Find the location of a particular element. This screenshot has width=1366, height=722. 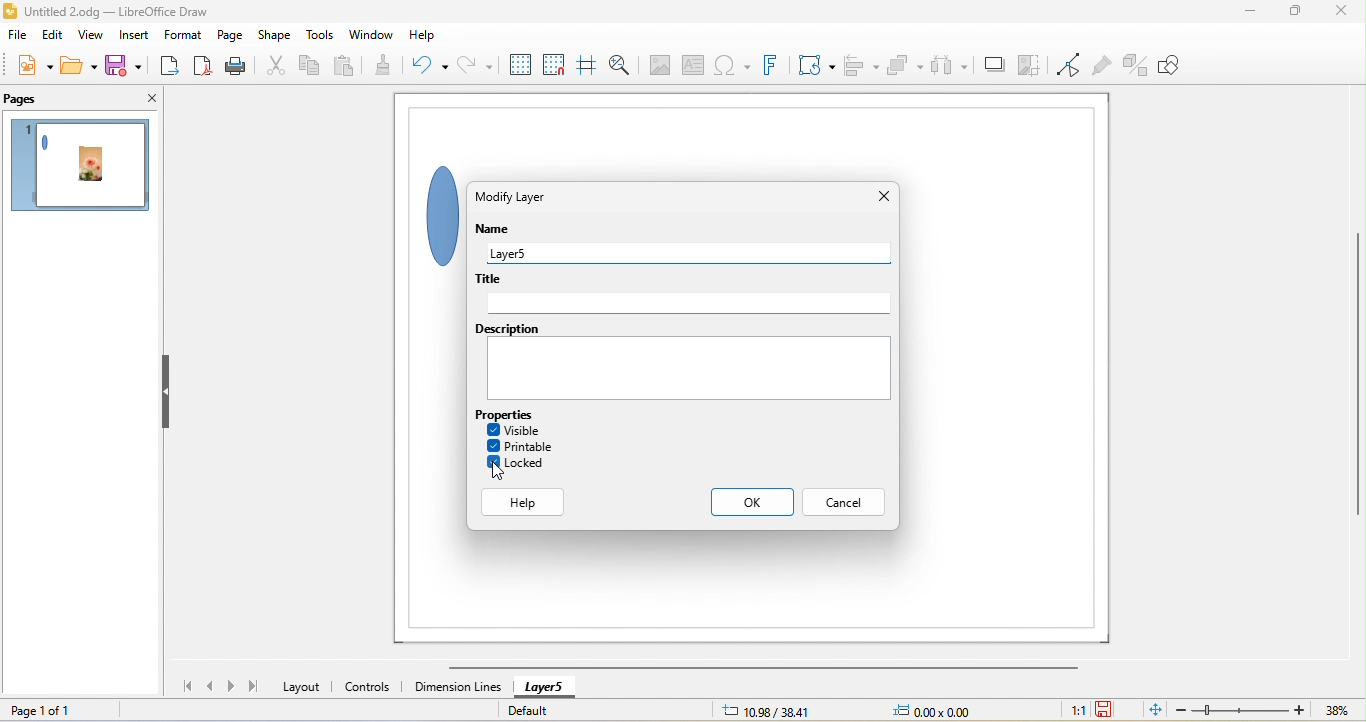

10.98/38.41 is located at coordinates (767, 710).